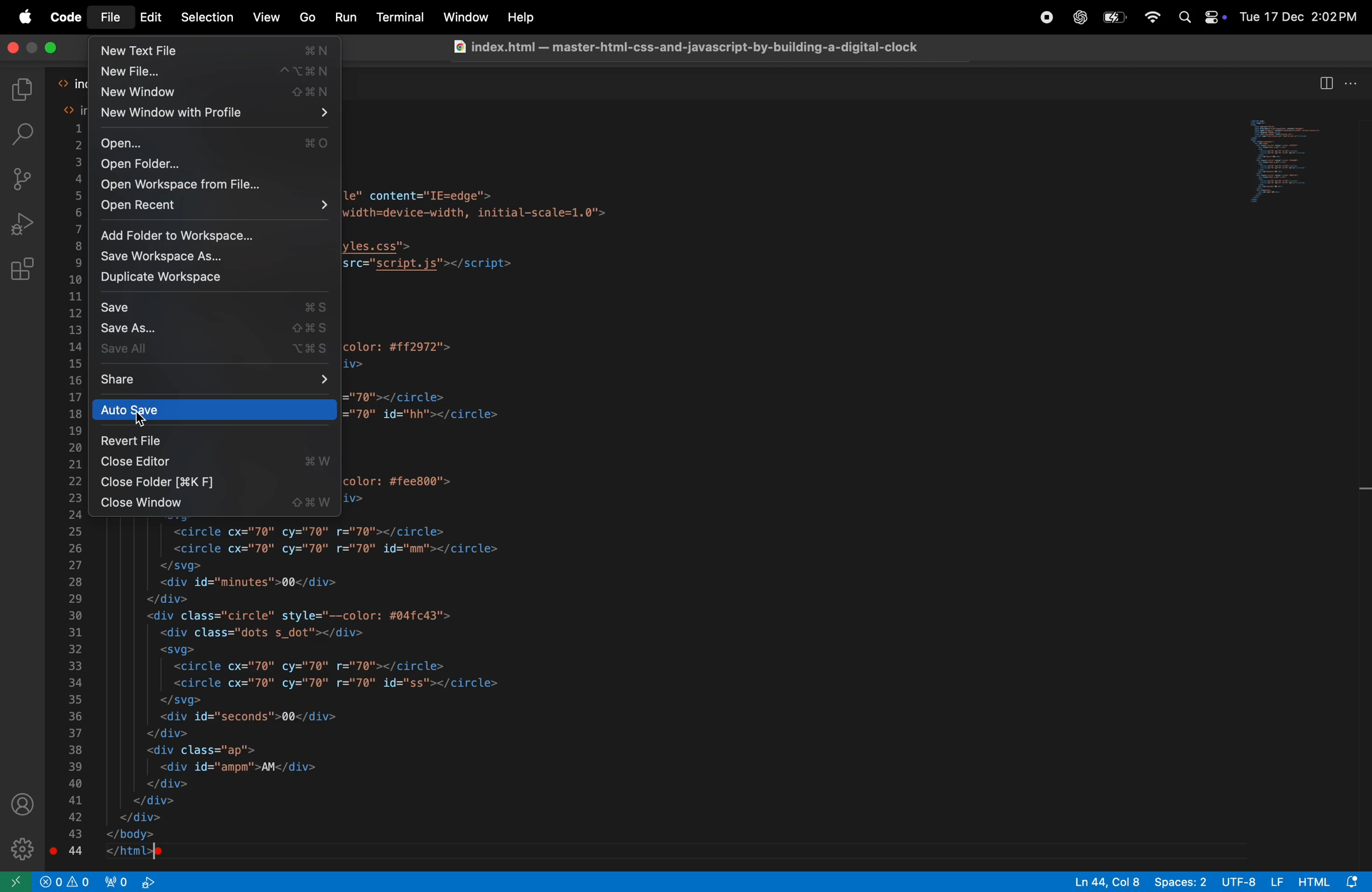 Image resolution: width=1372 pixels, height=892 pixels. I want to click on chatgpt, so click(1042, 17).